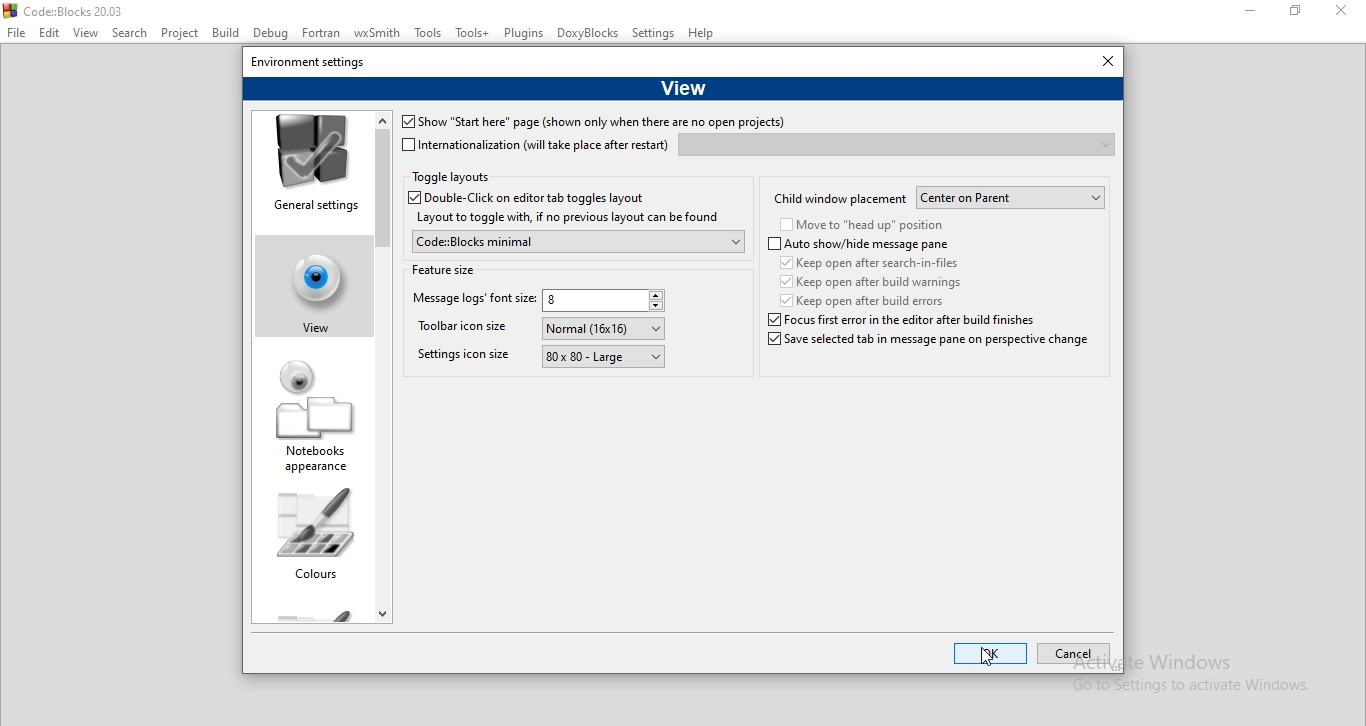 Image resolution: width=1366 pixels, height=726 pixels. I want to click on  Keep open after build warnings, so click(868, 281).